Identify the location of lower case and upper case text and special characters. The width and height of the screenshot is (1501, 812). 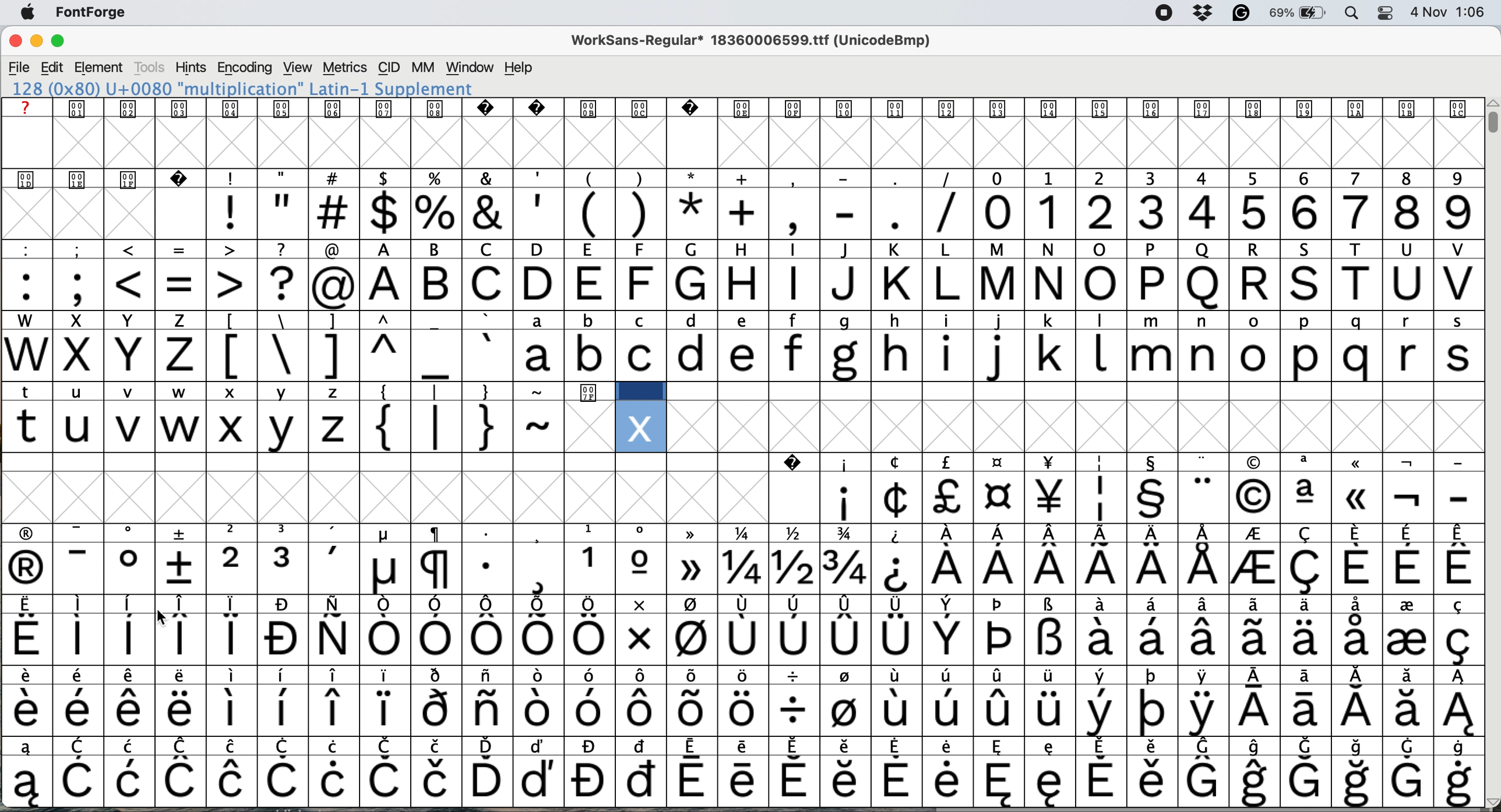
(745, 318).